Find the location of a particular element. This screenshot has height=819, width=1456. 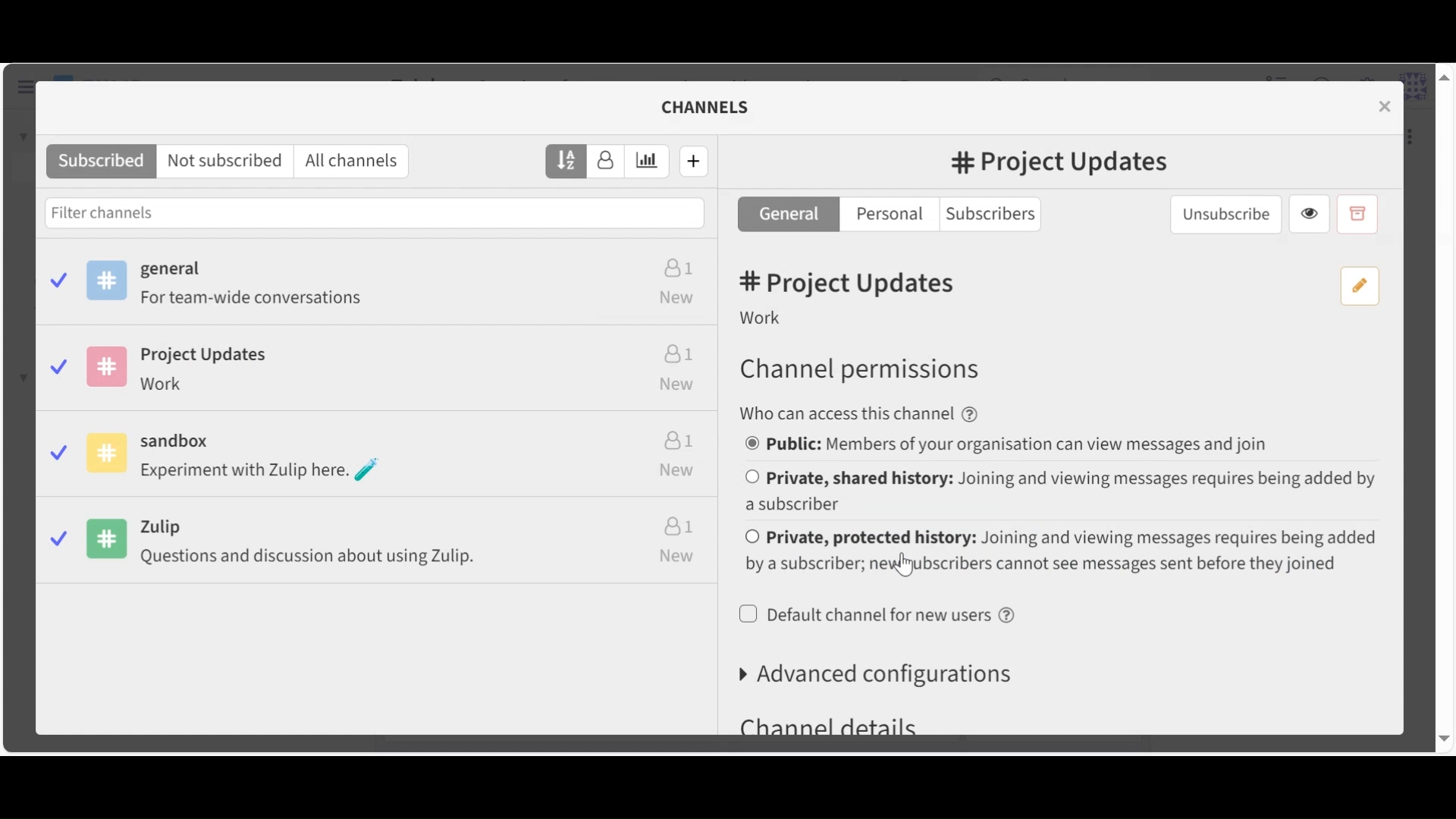

General is located at coordinates (797, 215).